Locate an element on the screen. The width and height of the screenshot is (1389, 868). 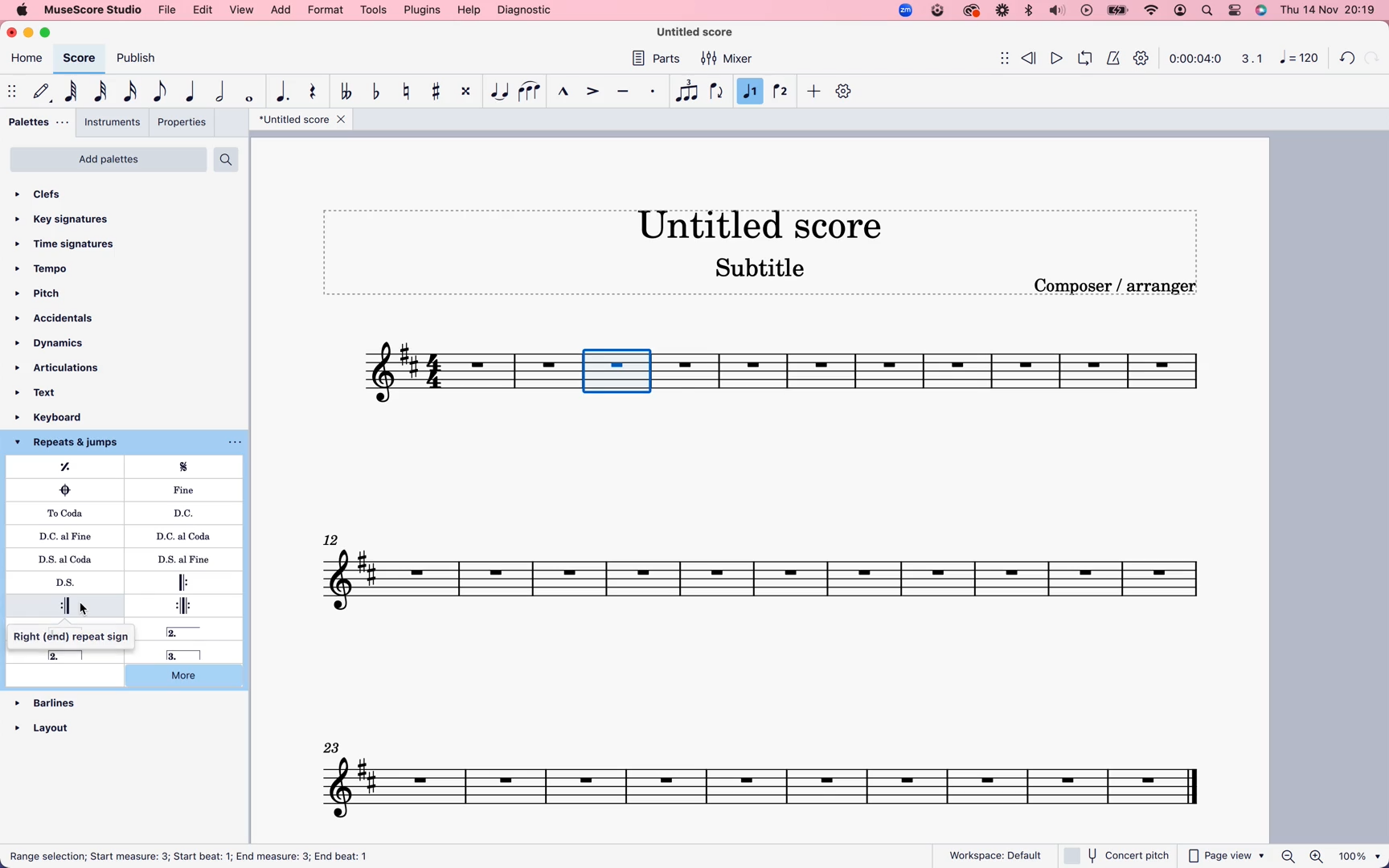
d.s al fine is located at coordinates (178, 559).